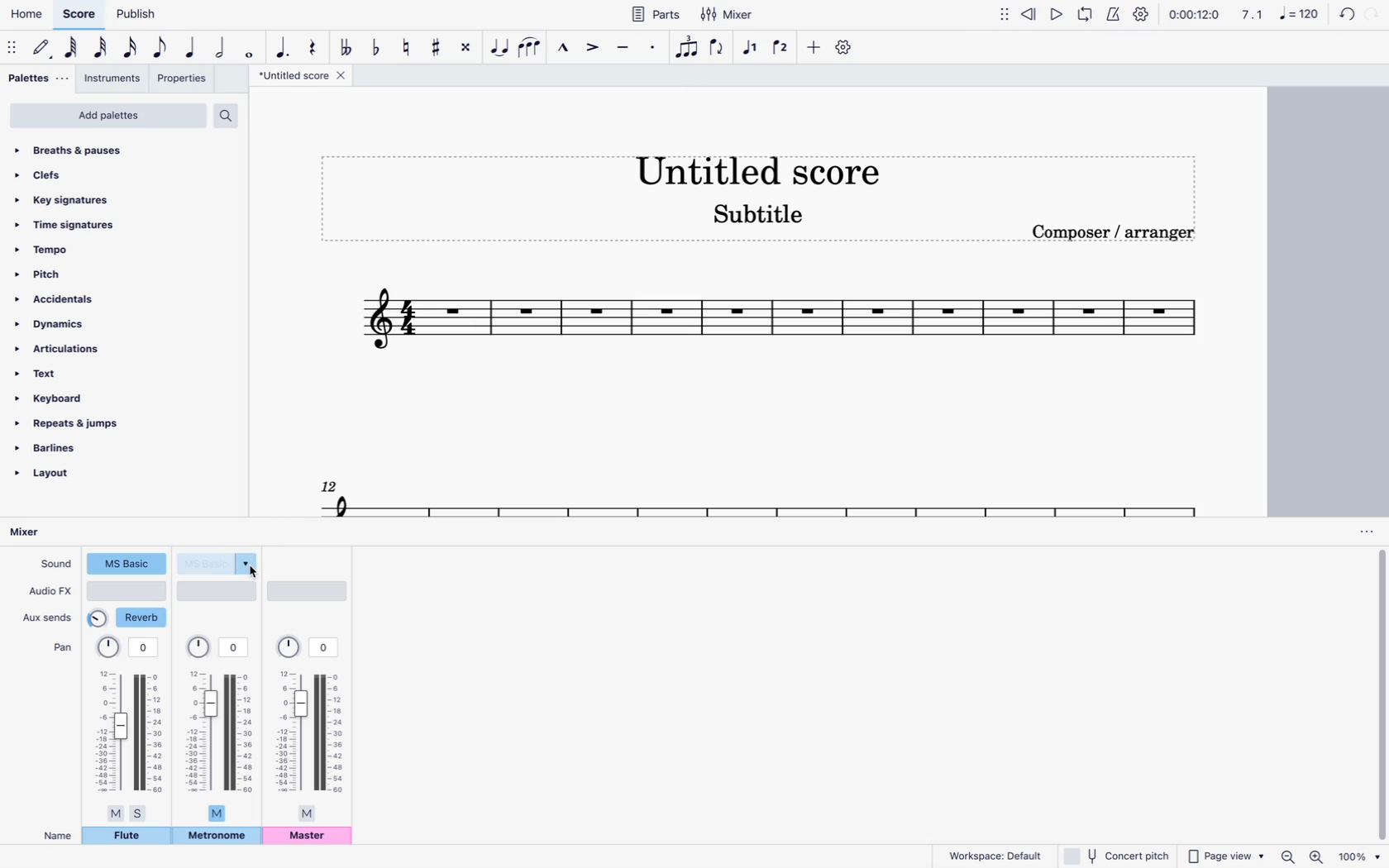 The height and width of the screenshot is (868, 1389). Describe the element at coordinates (97, 274) in the screenshot. I see `pitch` at that location.